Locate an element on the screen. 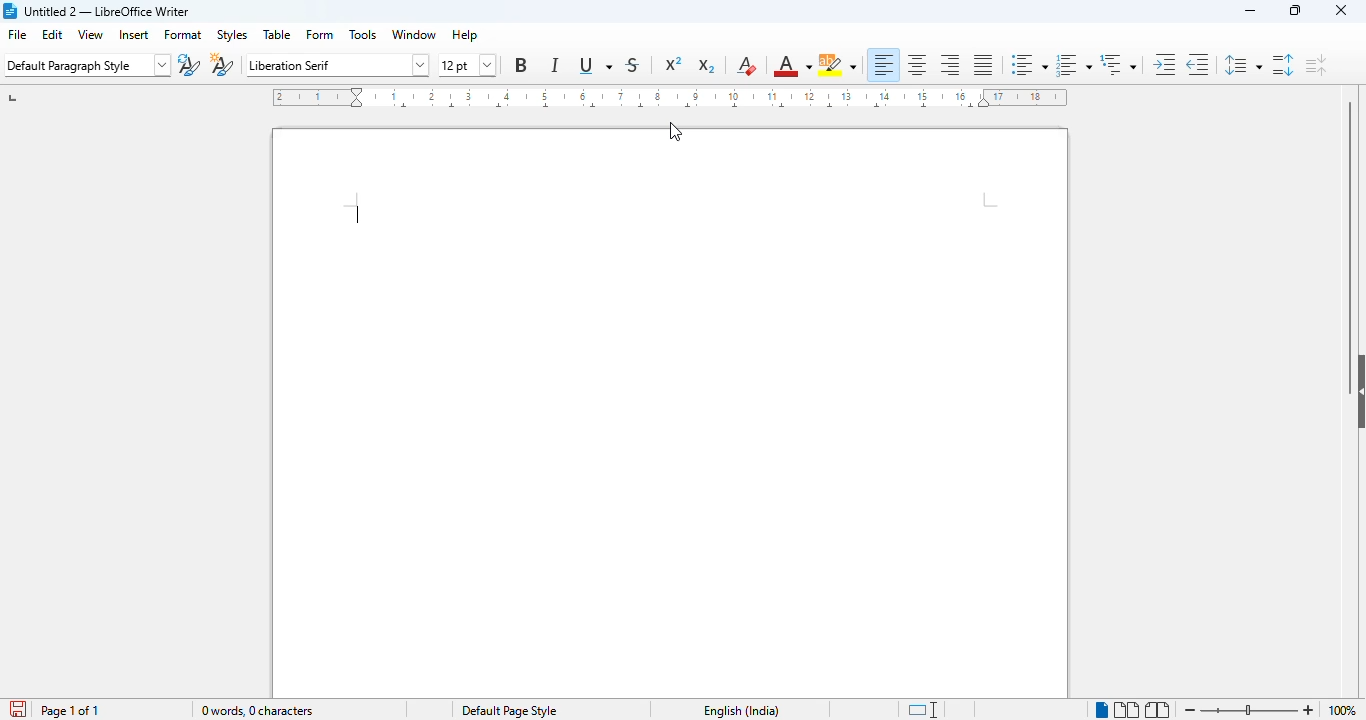  text language is located at coordinates (741, 710).